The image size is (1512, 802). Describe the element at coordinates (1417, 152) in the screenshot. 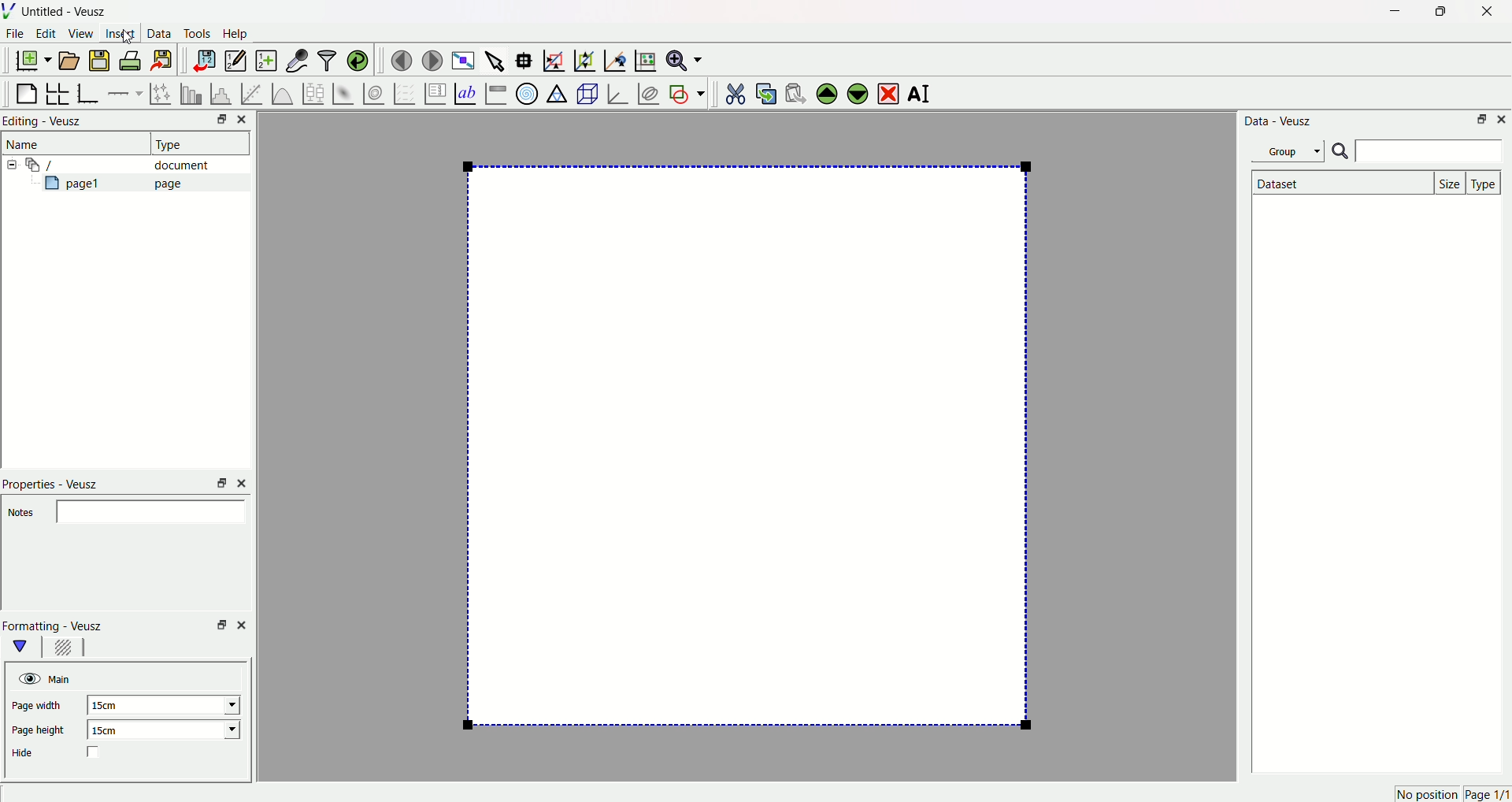

I see `Searchbar` at that location.